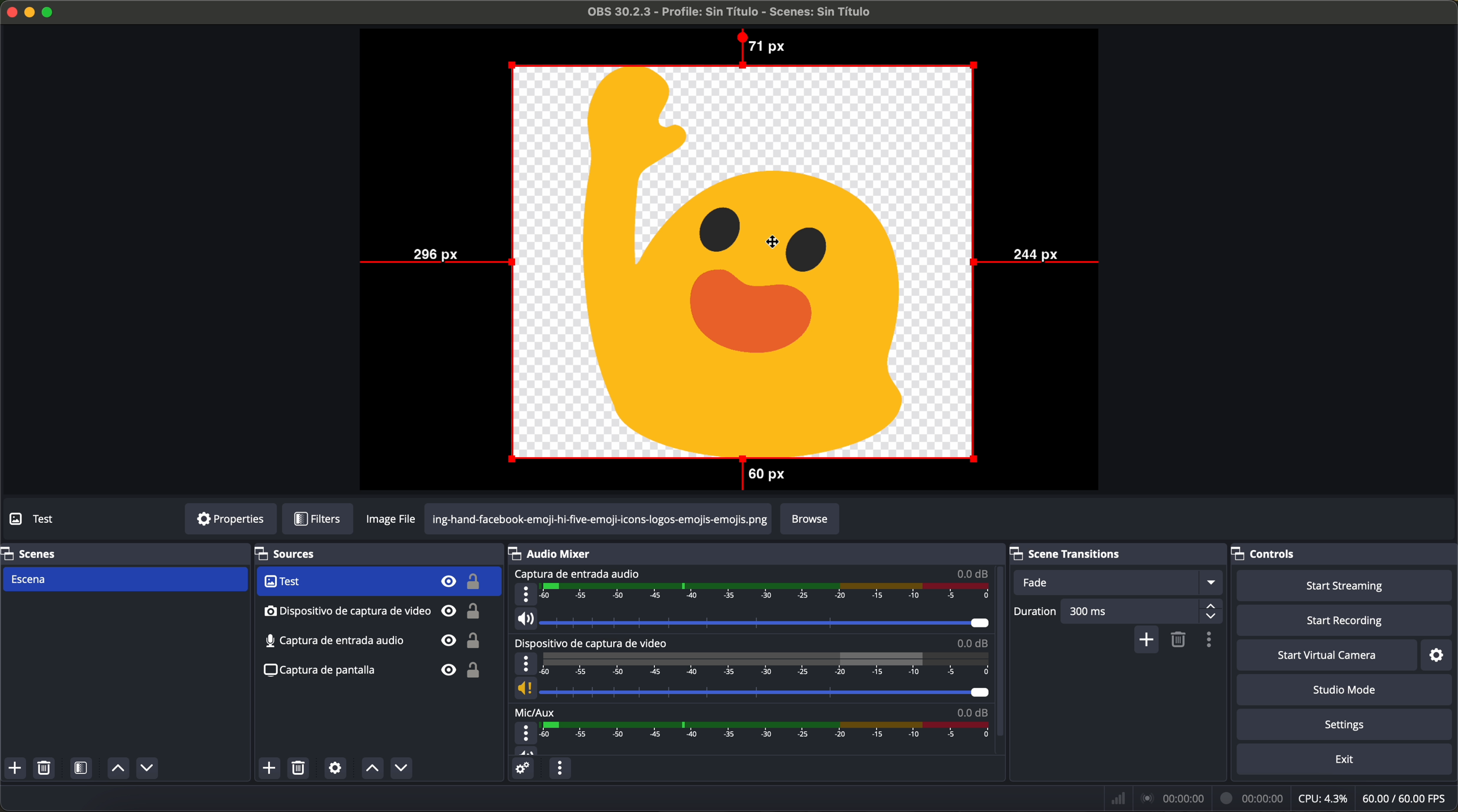 The width and height of the screenshot is (1458, 812). I want to click on video capture device, so click(378, 582).